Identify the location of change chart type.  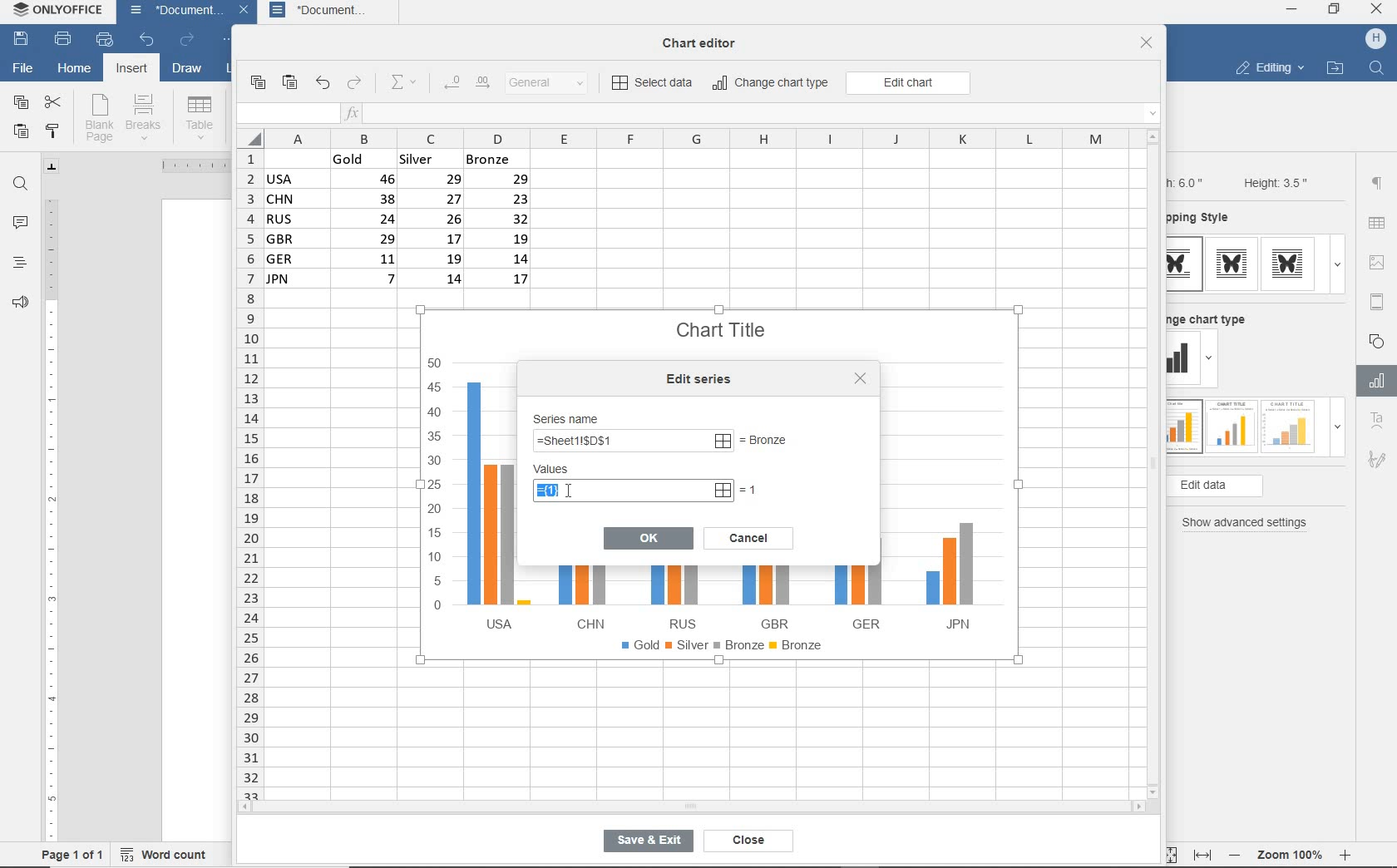
(1213, 317).